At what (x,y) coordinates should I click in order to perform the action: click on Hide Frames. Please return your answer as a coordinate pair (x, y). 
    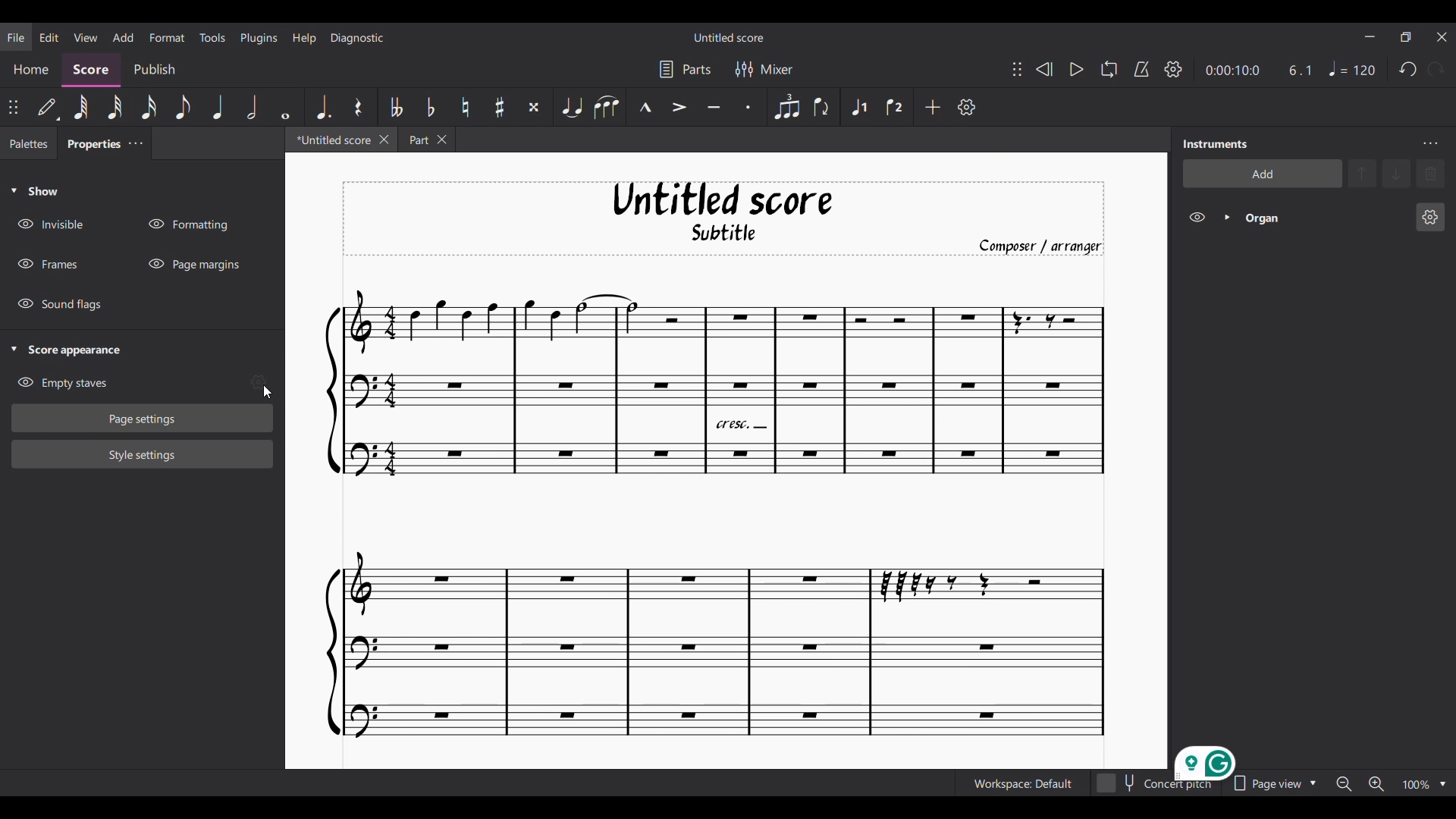
    Looking at the image, I should click on (48, 264).